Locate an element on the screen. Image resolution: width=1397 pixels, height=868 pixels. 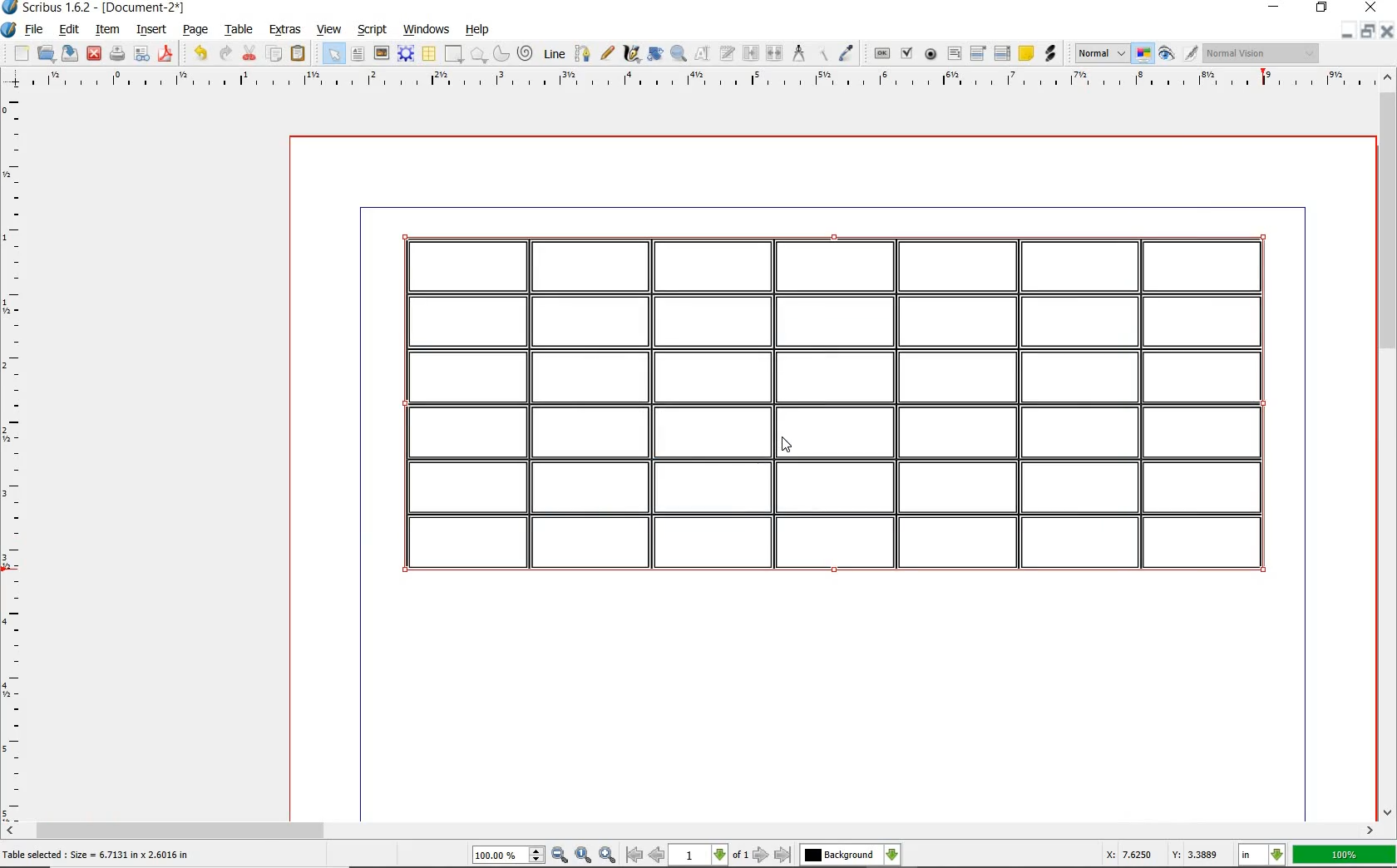
new is located at coordinates (22, 52).